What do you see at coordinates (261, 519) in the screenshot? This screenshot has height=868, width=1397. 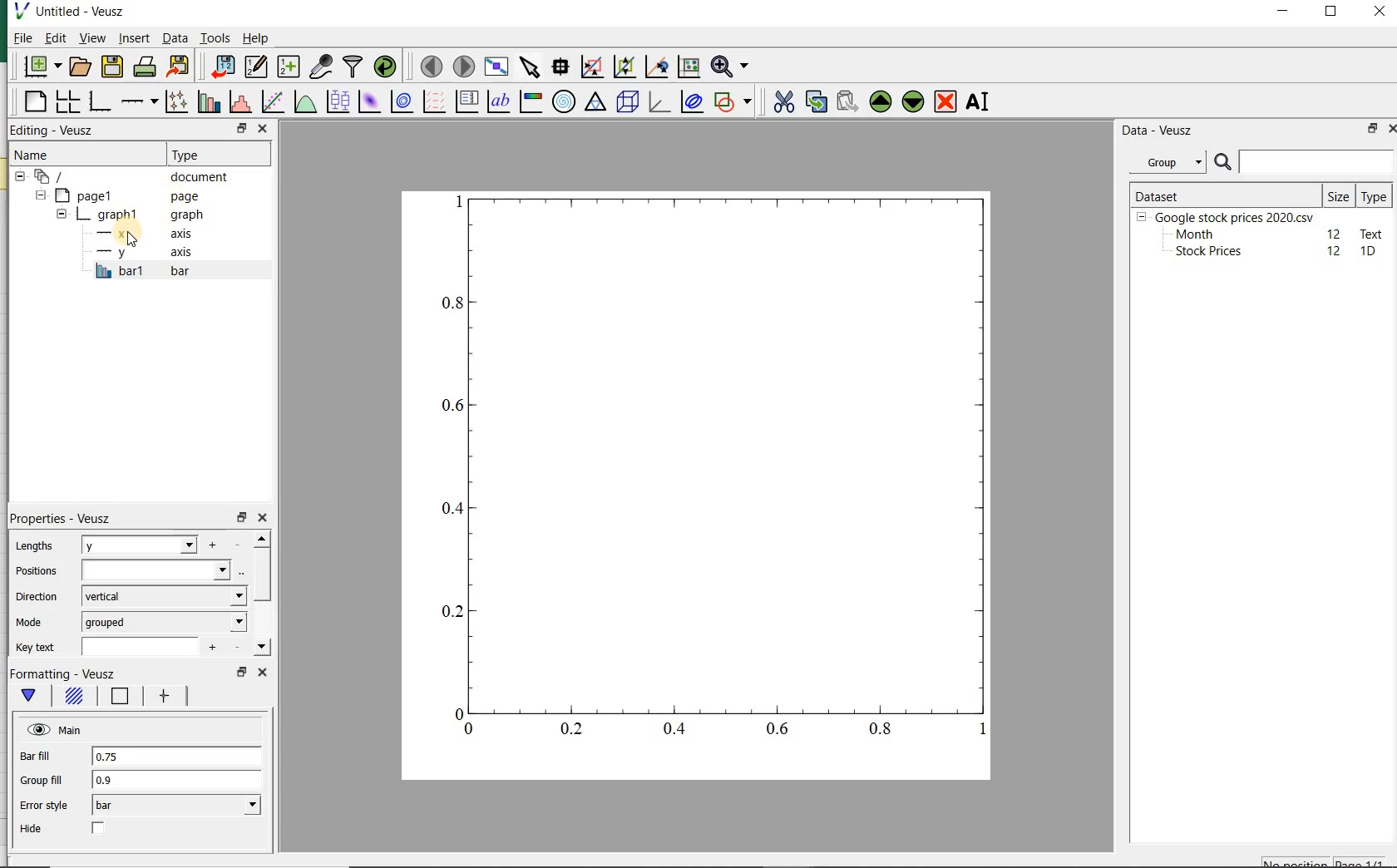 I see `close` at bounding box center [261, 519].